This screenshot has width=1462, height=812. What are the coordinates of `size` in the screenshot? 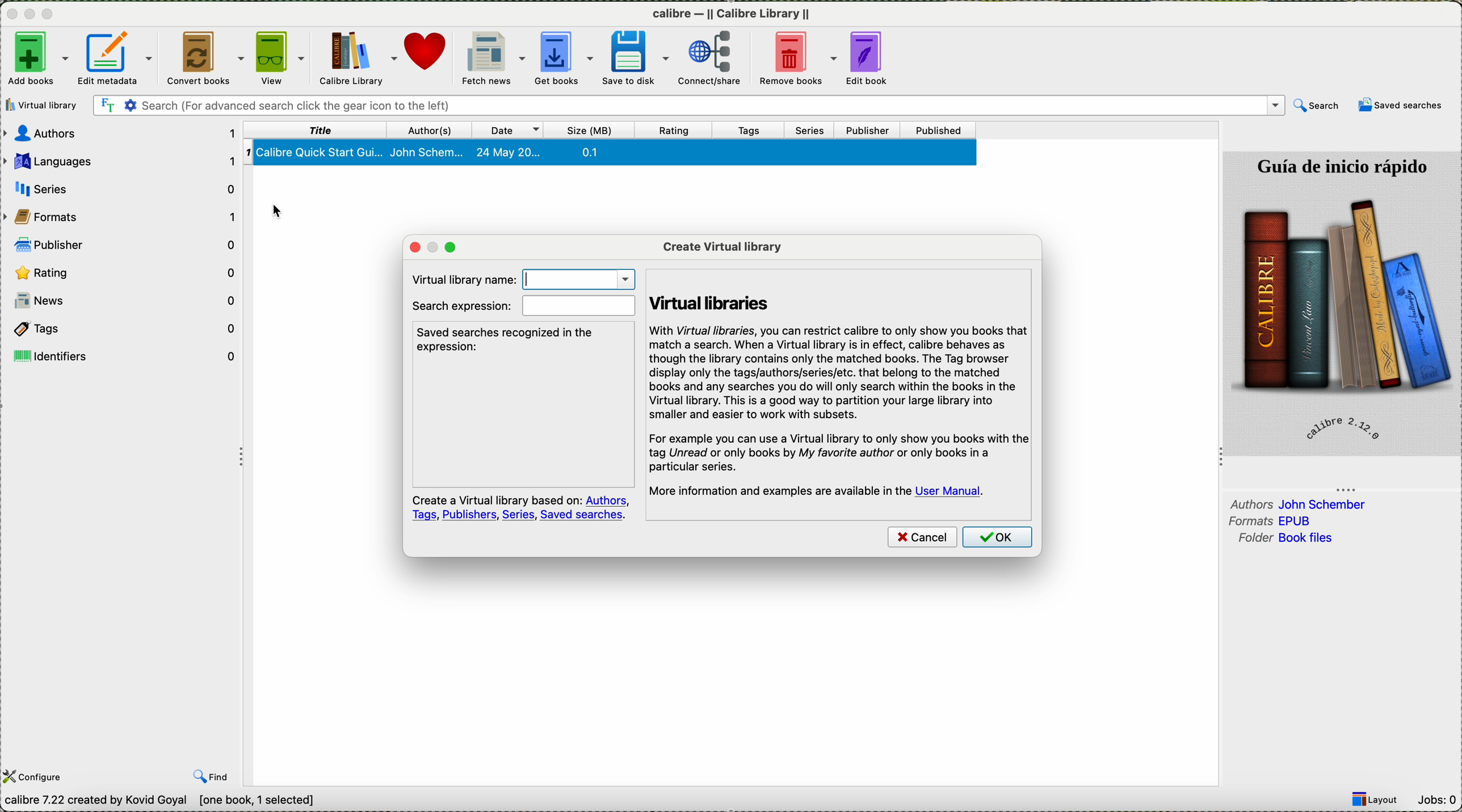 It's located at (595, 129).